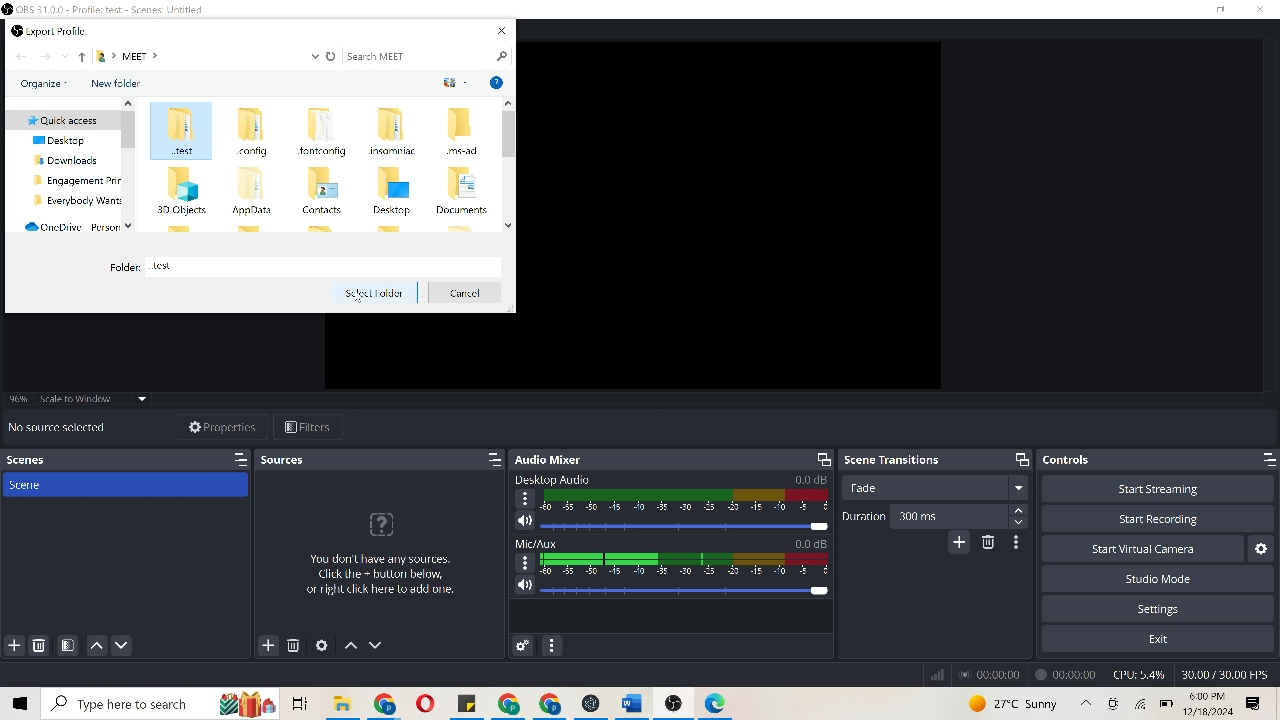 The height and width of the screenshot is (720, 1280). Describe the element at coordinates (65, 30) in the screenshot. I see `Explore | profile` at that location.